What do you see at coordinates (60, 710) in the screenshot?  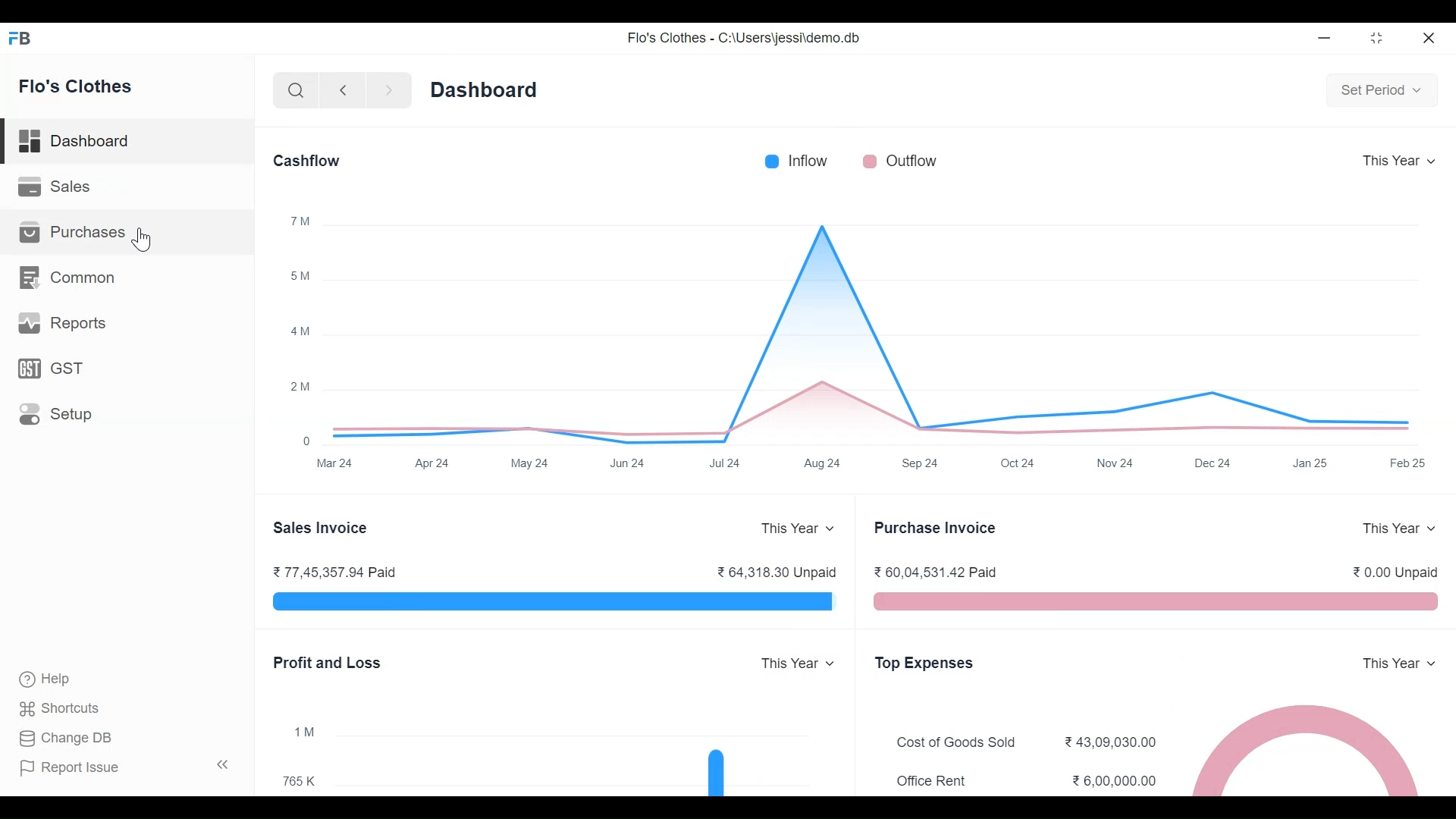 I see `Shortcuts` at bounding box center [60, 710].